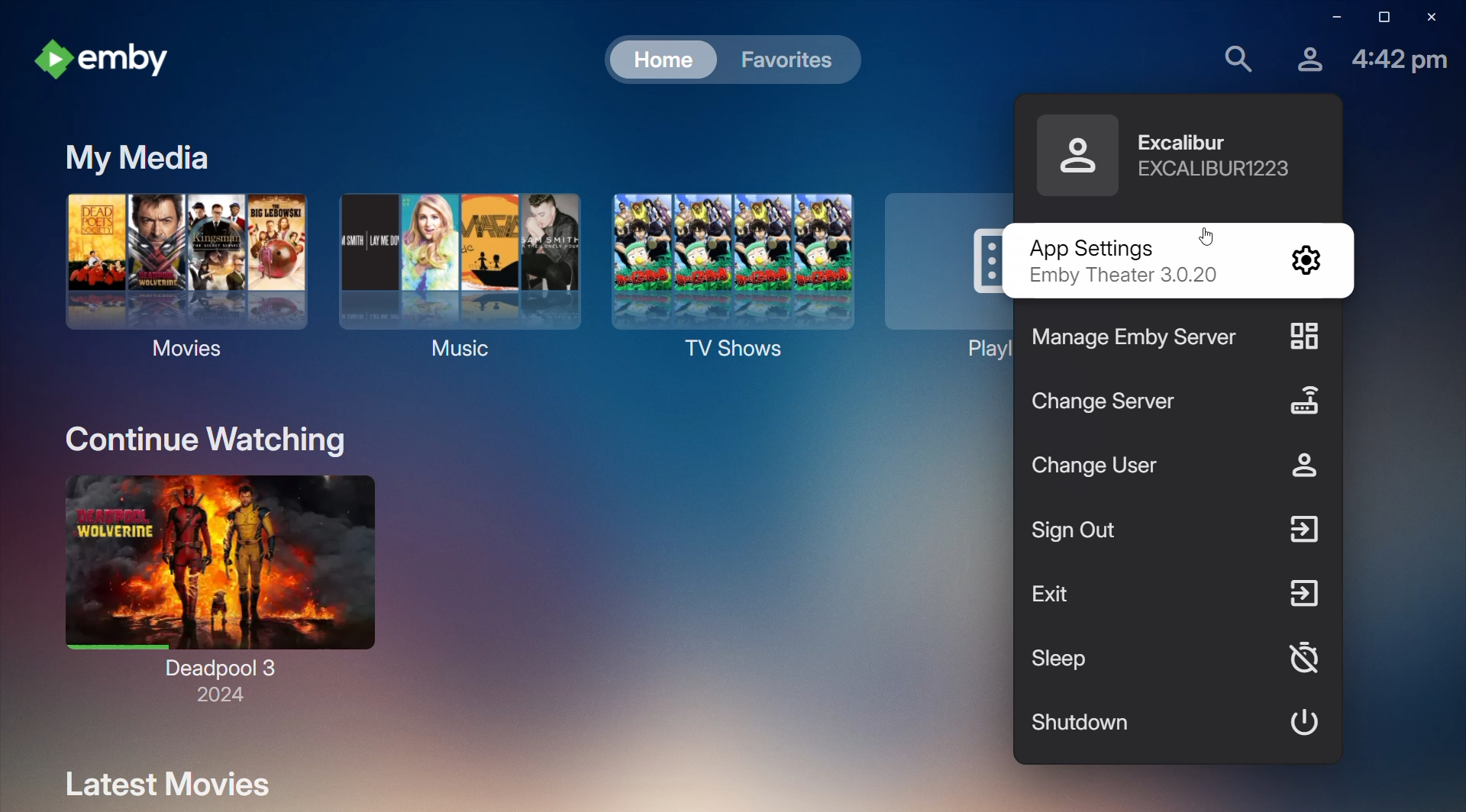 This screenshot has width=1466, height=812. Describe the element at coordinates (1177, 596) in the screenshot. I see `Exit` at that location.